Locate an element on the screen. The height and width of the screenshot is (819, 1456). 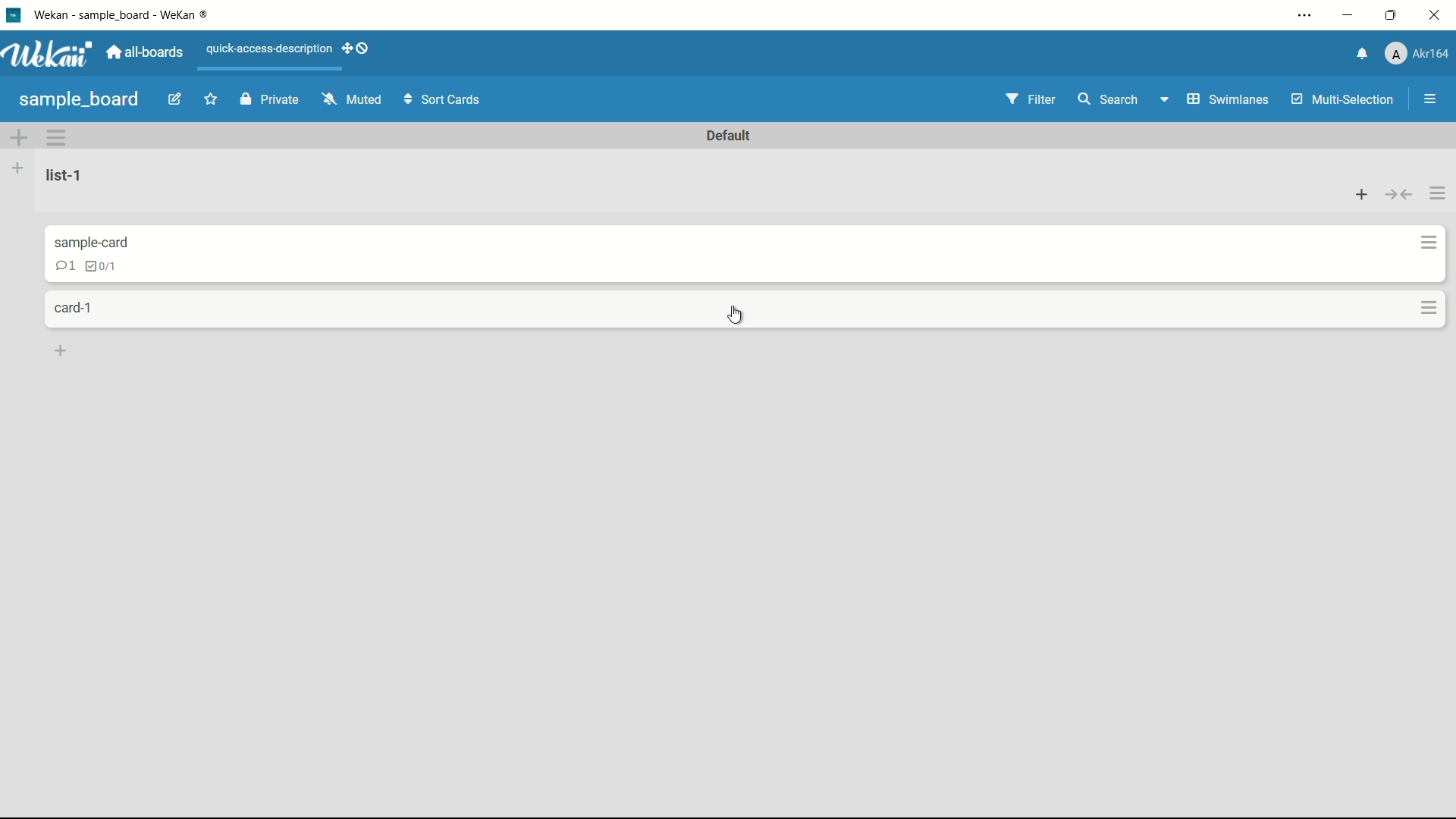
filter is located at coordinates (1030, 100).